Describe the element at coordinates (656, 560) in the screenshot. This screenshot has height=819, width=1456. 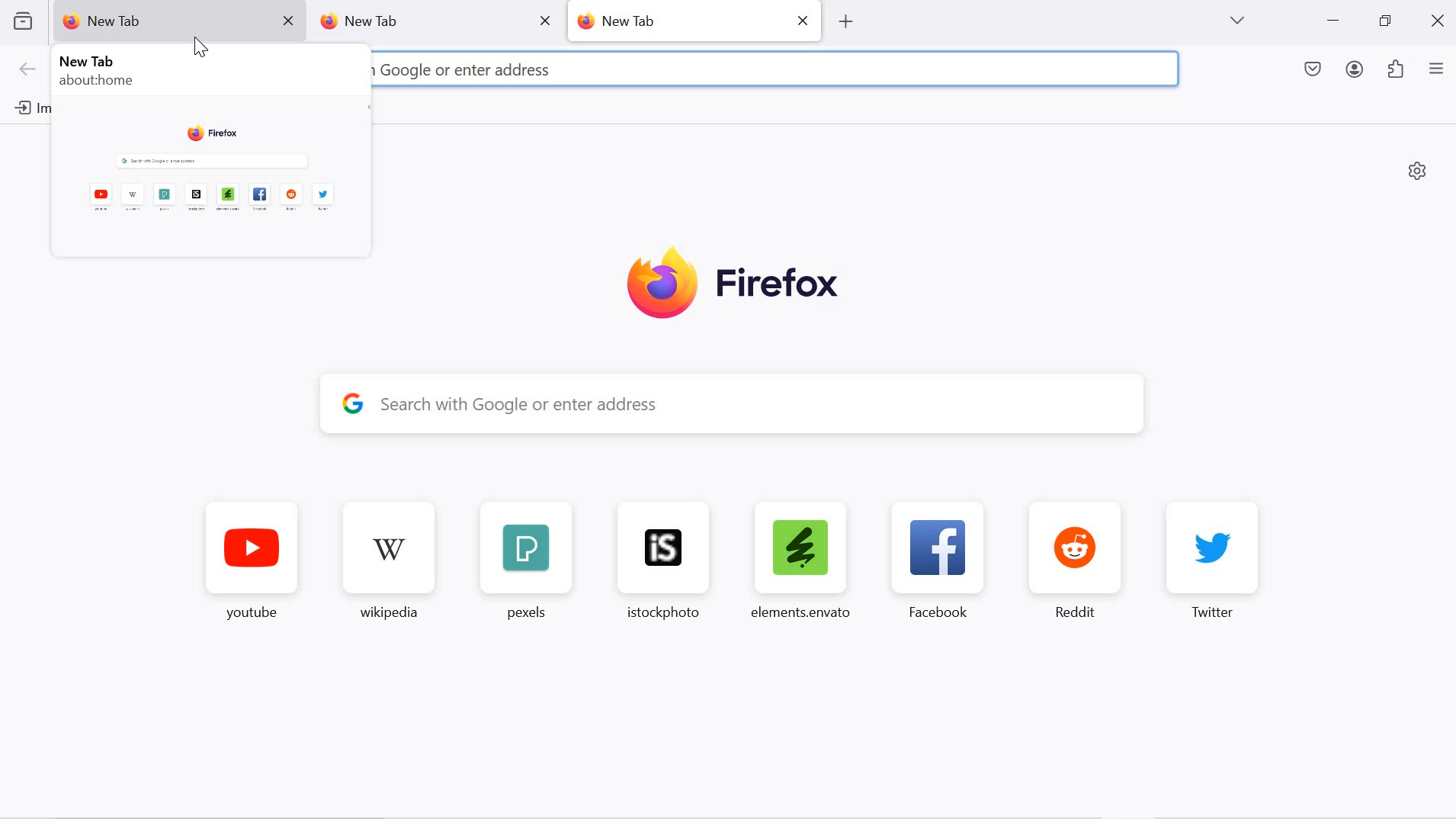
I see `istockphoto favorite` at that location.